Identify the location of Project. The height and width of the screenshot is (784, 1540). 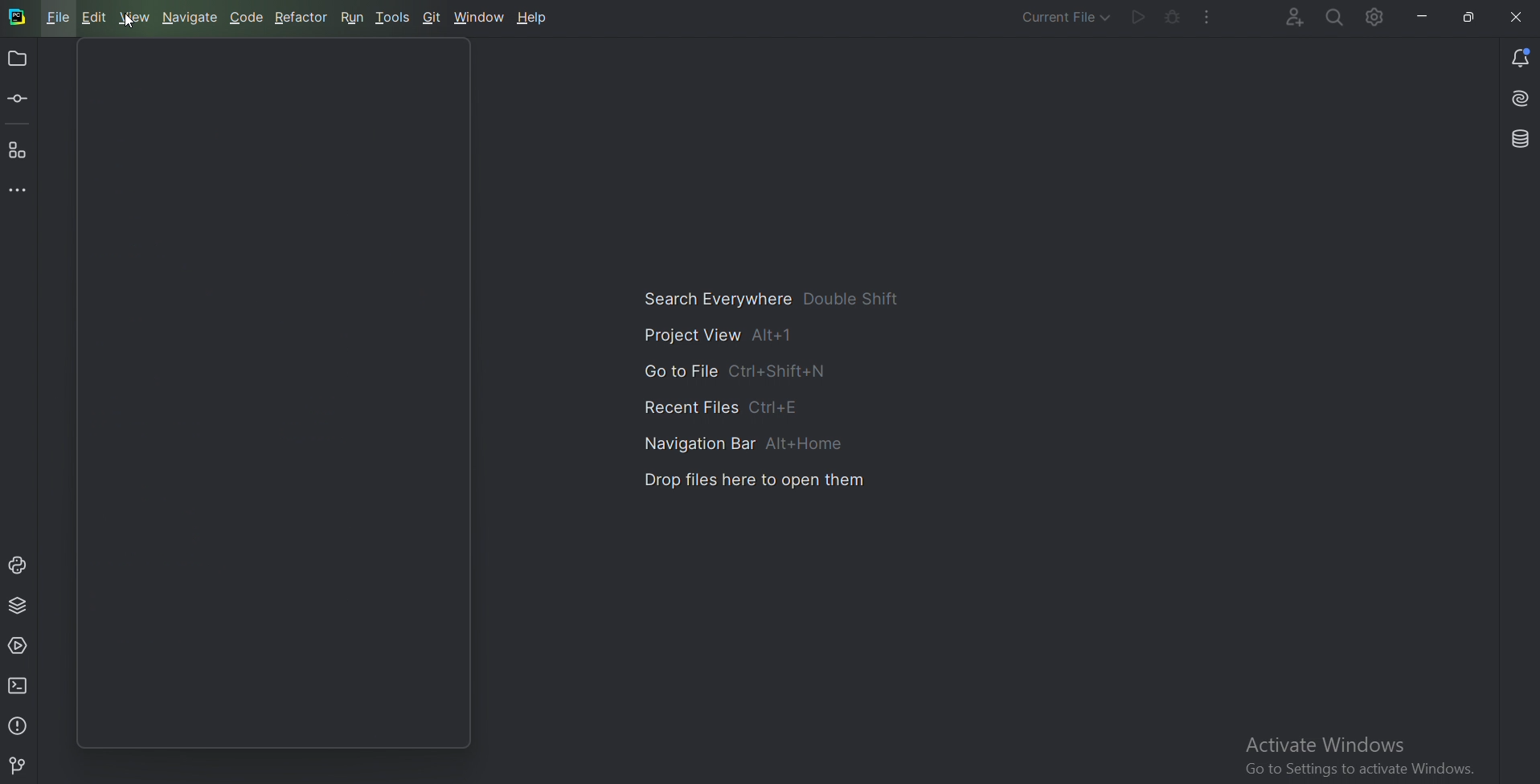
(18, 60).